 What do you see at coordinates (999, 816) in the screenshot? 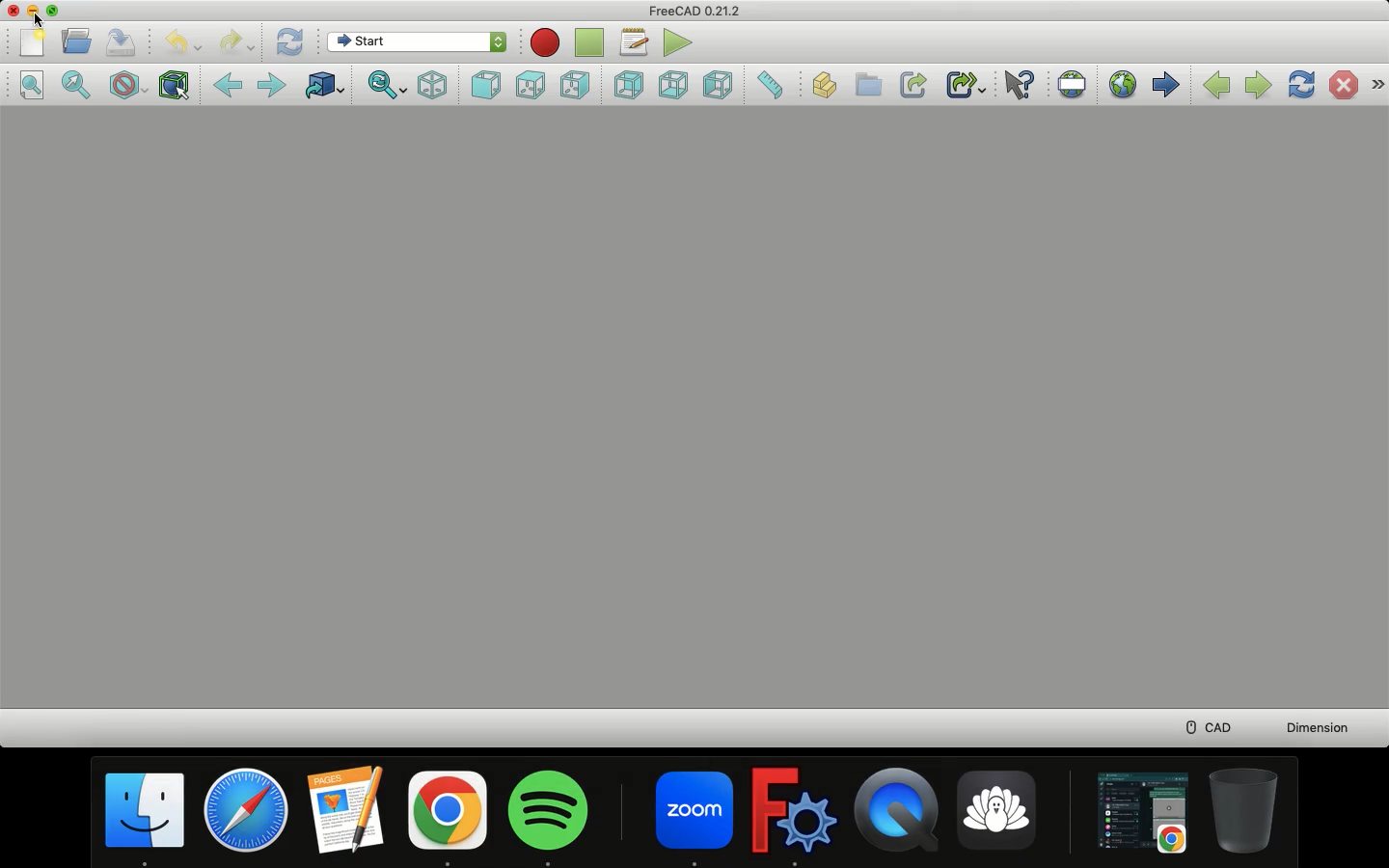
I see `ColdTurkey` at bounding box center [999, 816].